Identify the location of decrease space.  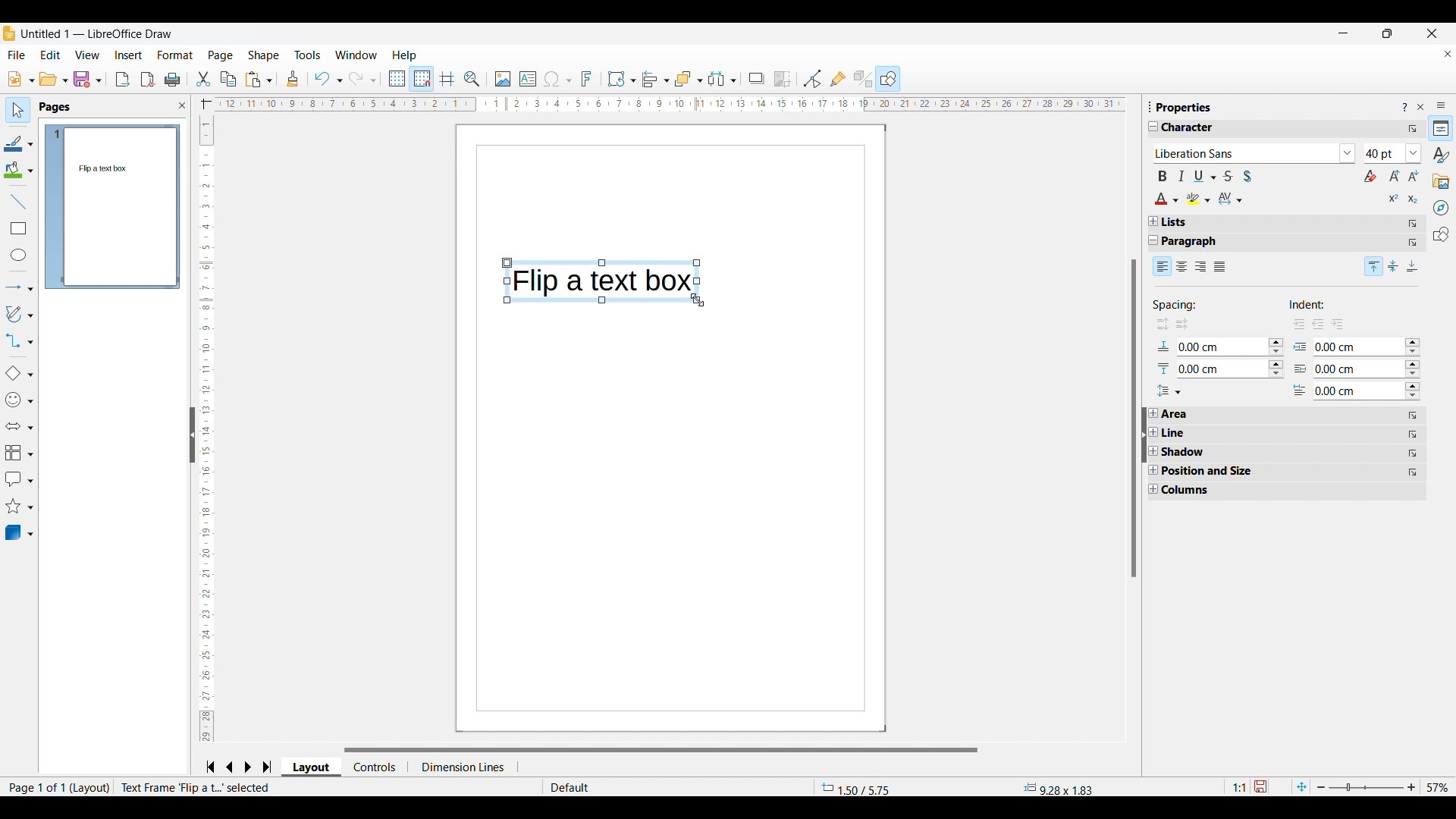
(1184, 325).